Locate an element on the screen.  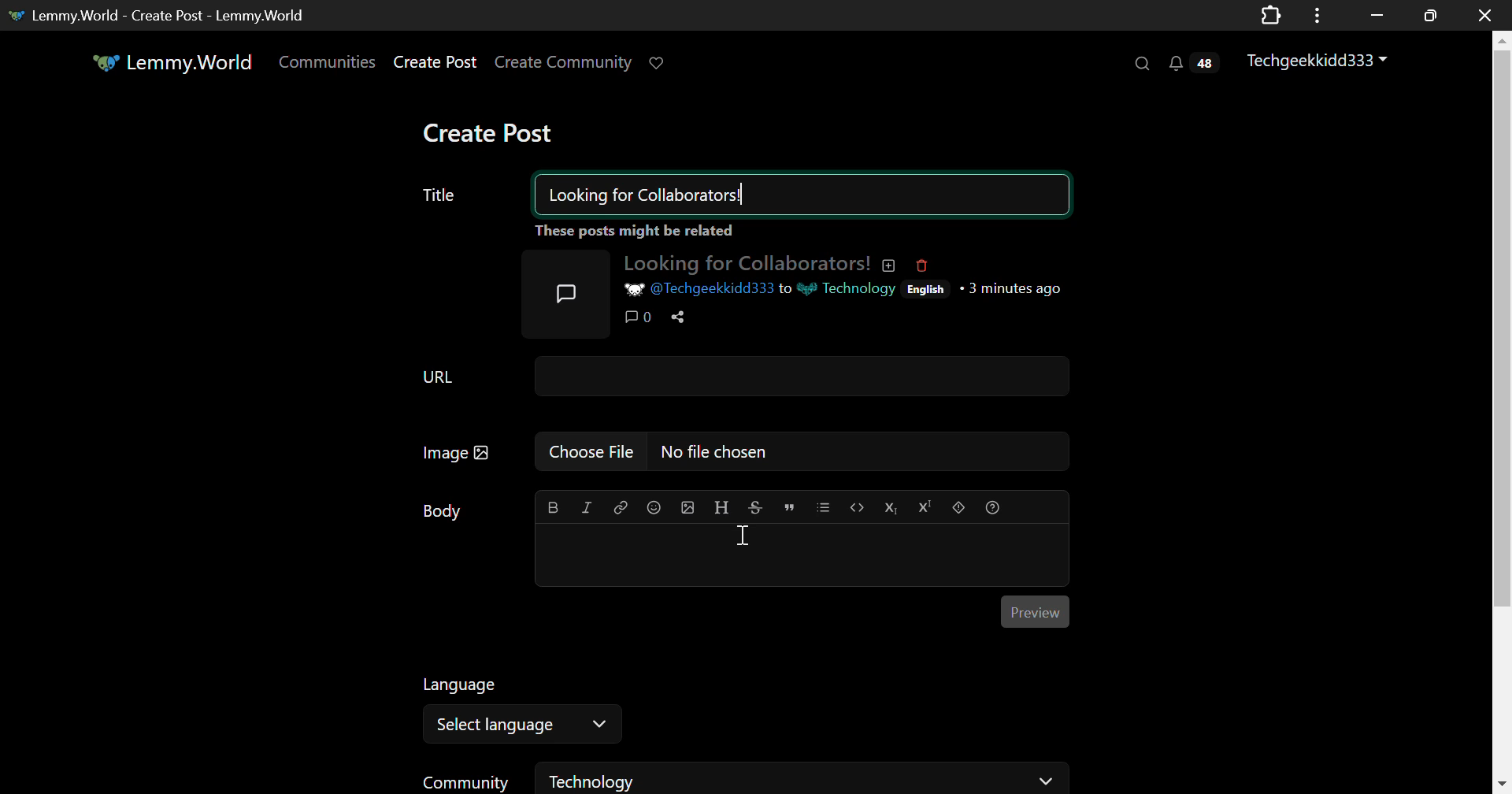
strikethrough is located at coordinates (753, 508).